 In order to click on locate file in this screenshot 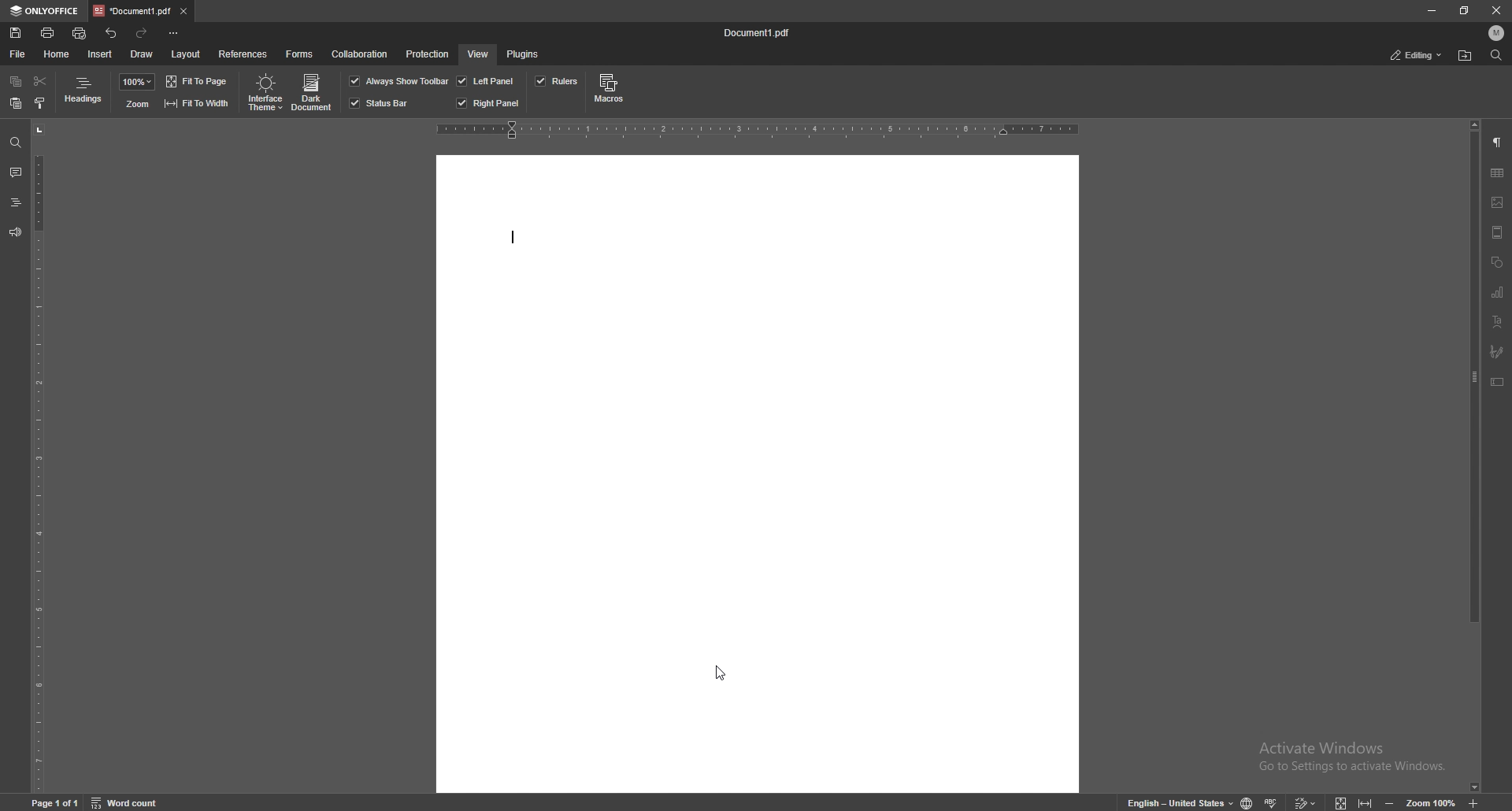, I will do `click(1466, 55)`.